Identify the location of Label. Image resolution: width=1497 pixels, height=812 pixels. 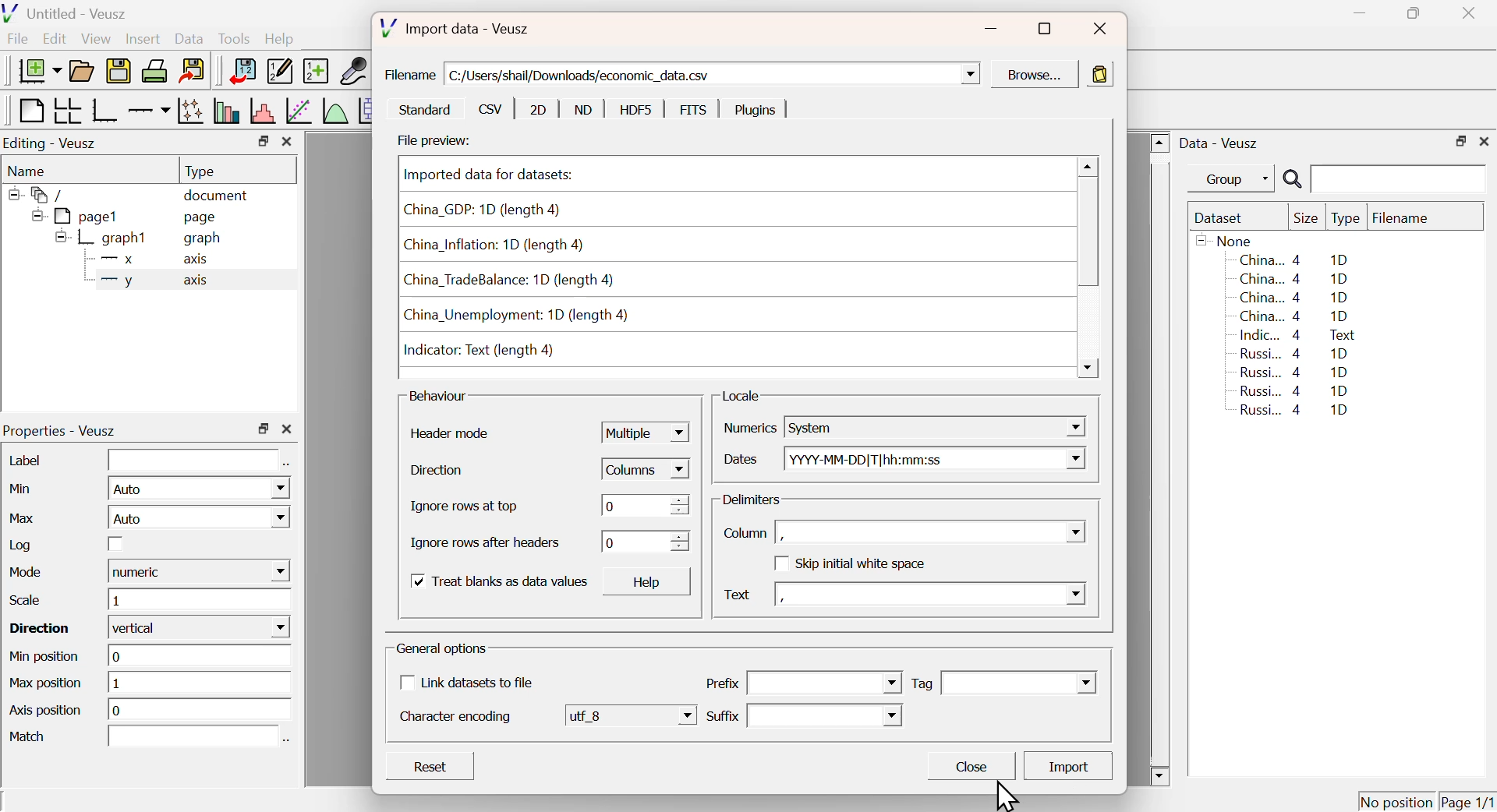
(27, 460).